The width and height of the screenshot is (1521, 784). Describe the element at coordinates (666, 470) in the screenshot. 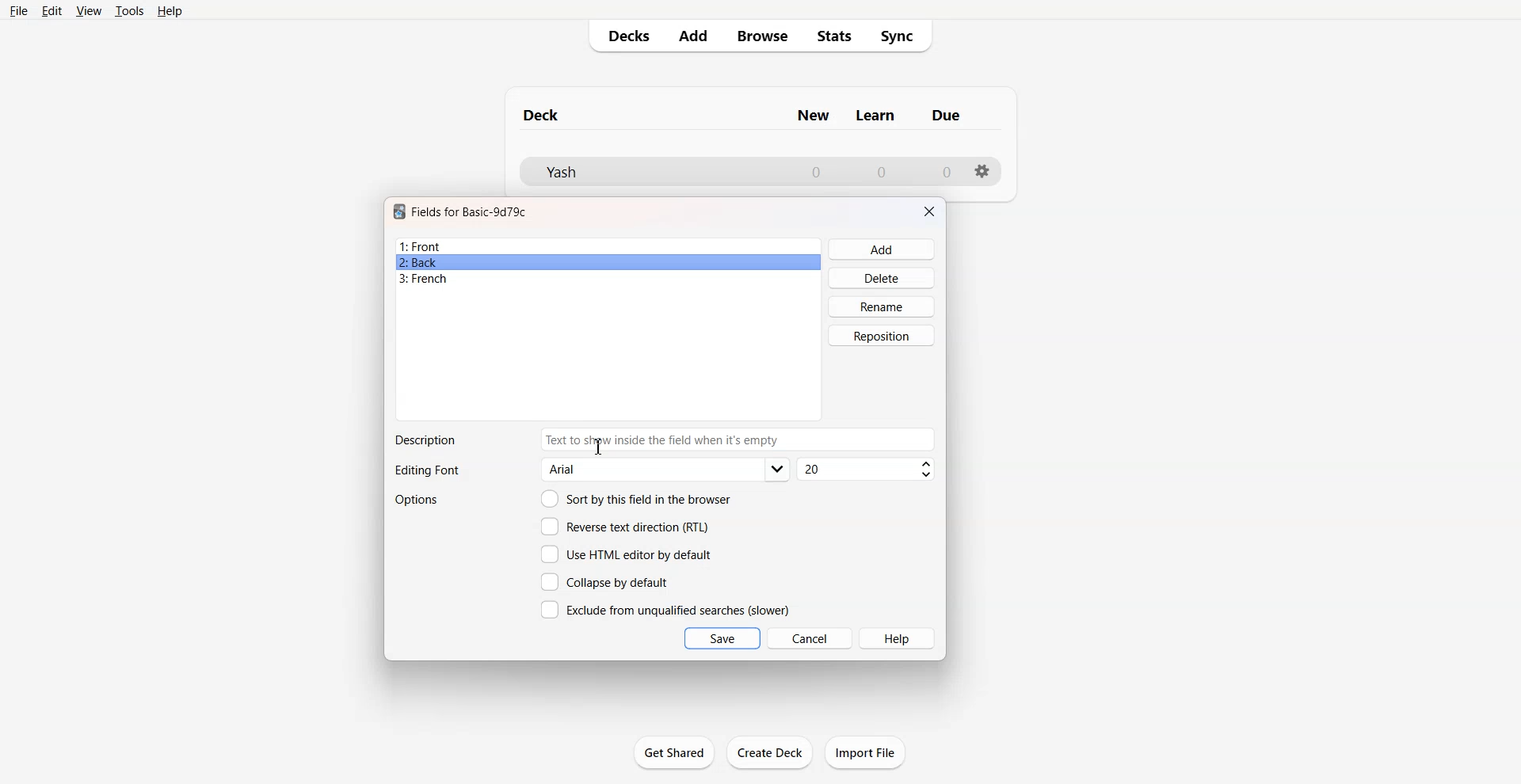

I see `Editing font options` at that location.